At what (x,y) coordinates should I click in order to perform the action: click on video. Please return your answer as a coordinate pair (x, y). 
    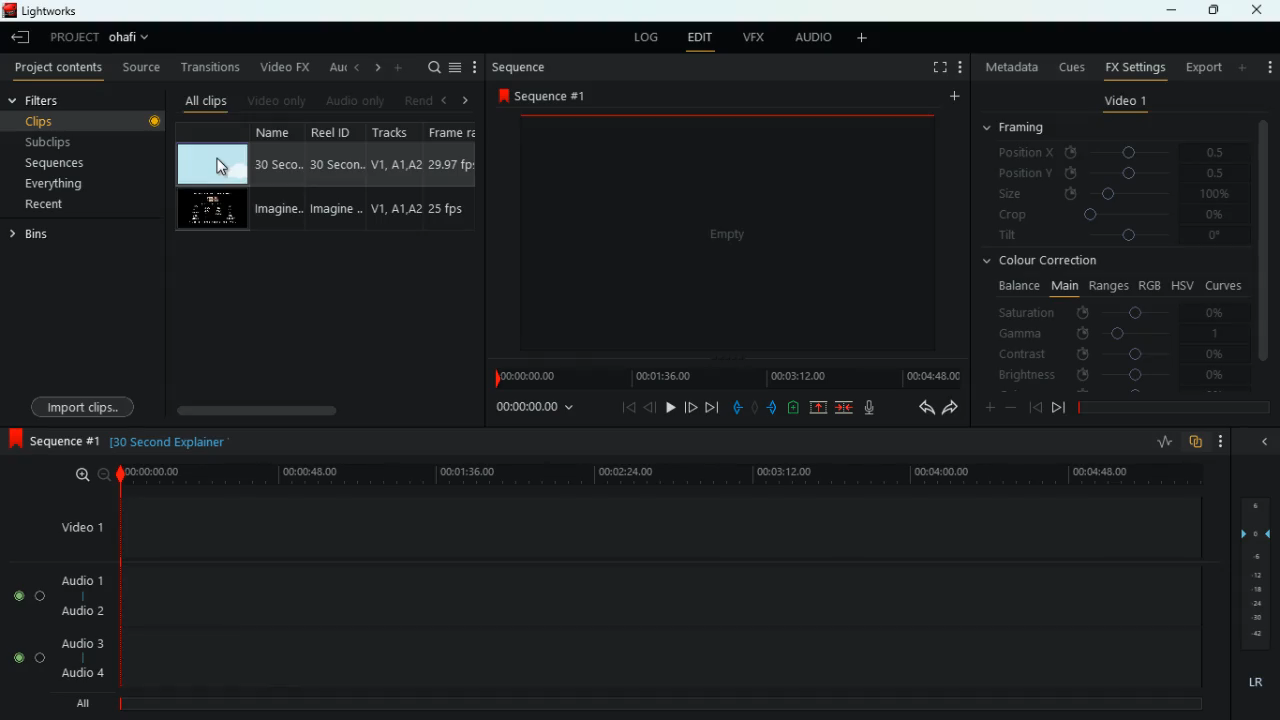
    Looking at the image, I should click on (211, 212).